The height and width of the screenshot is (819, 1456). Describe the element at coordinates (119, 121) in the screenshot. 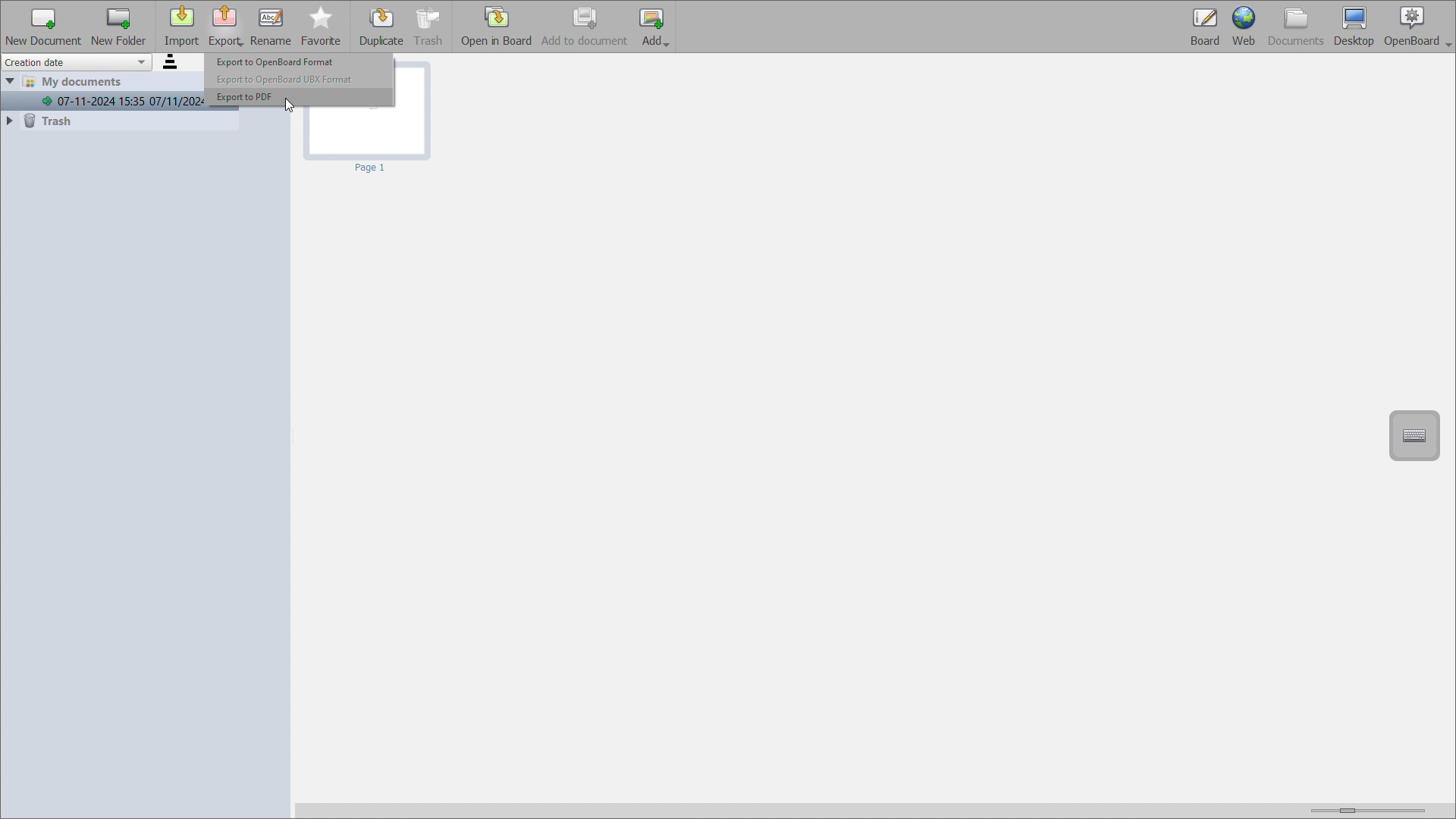

I see `trash` at that location.